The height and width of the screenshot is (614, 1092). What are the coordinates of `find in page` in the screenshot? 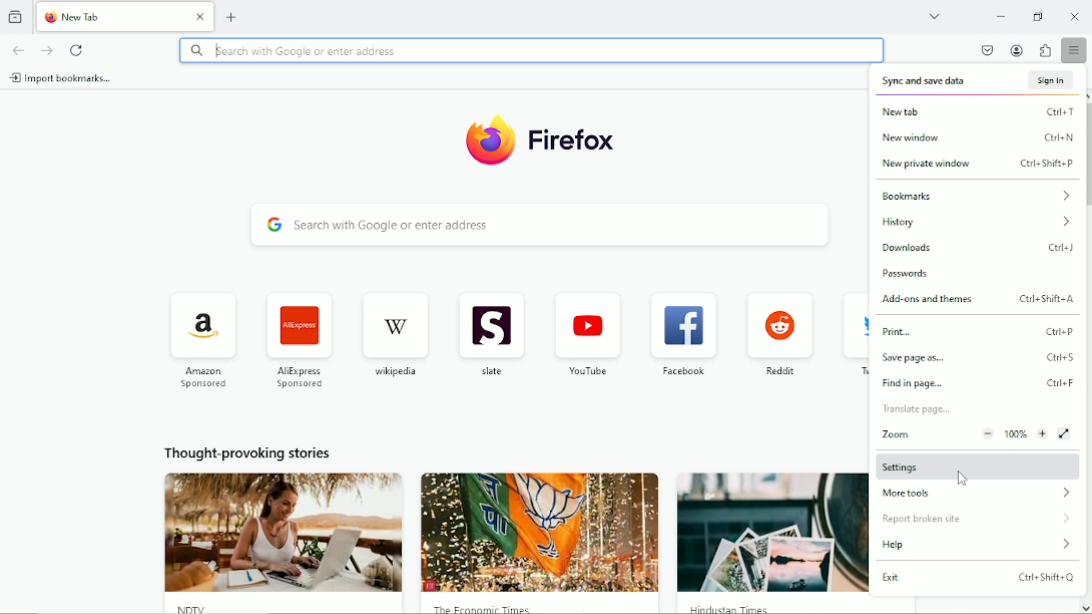 It's located at (979, 383).